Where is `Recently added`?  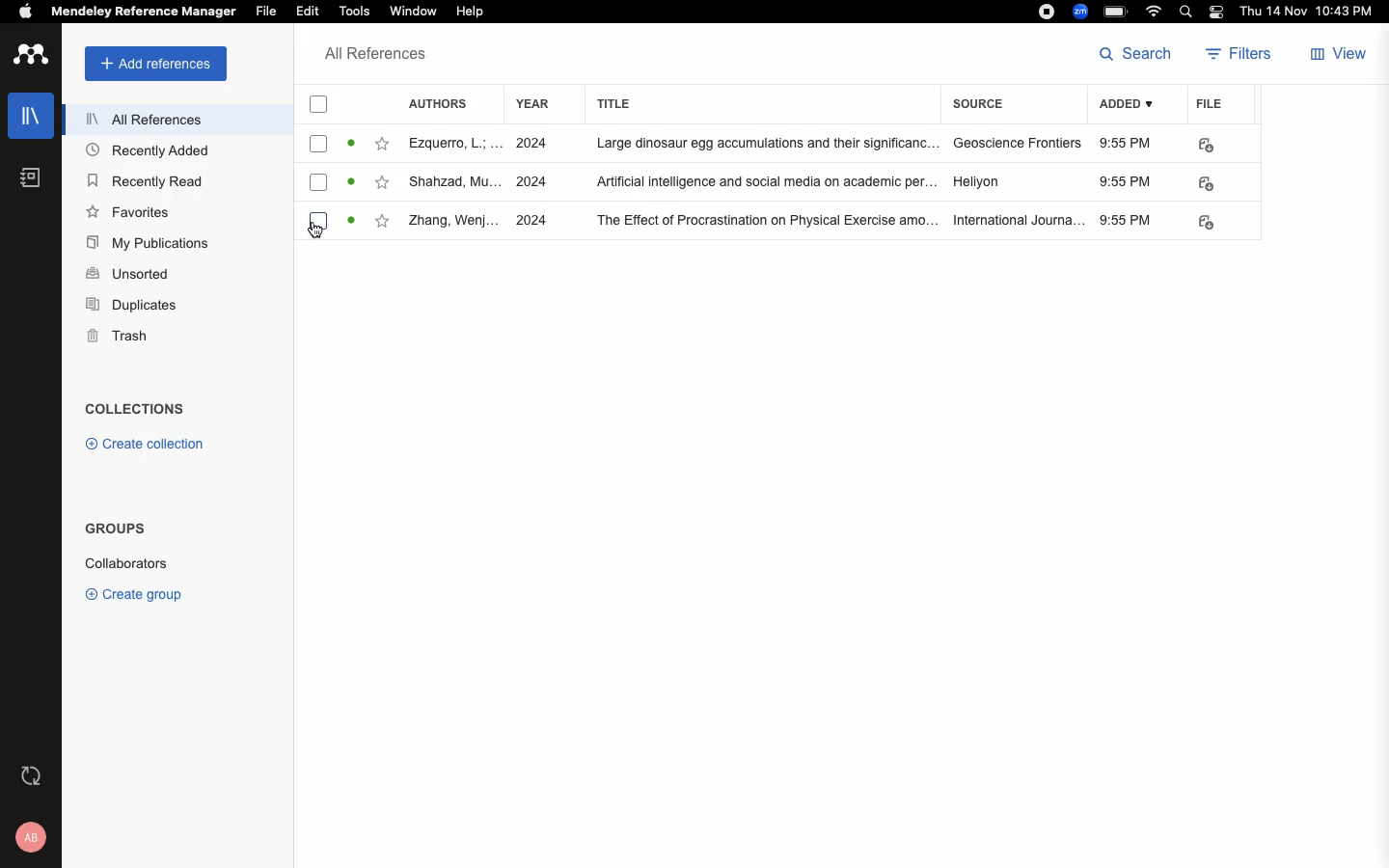
Recently added is located at coordinates (155, 151).